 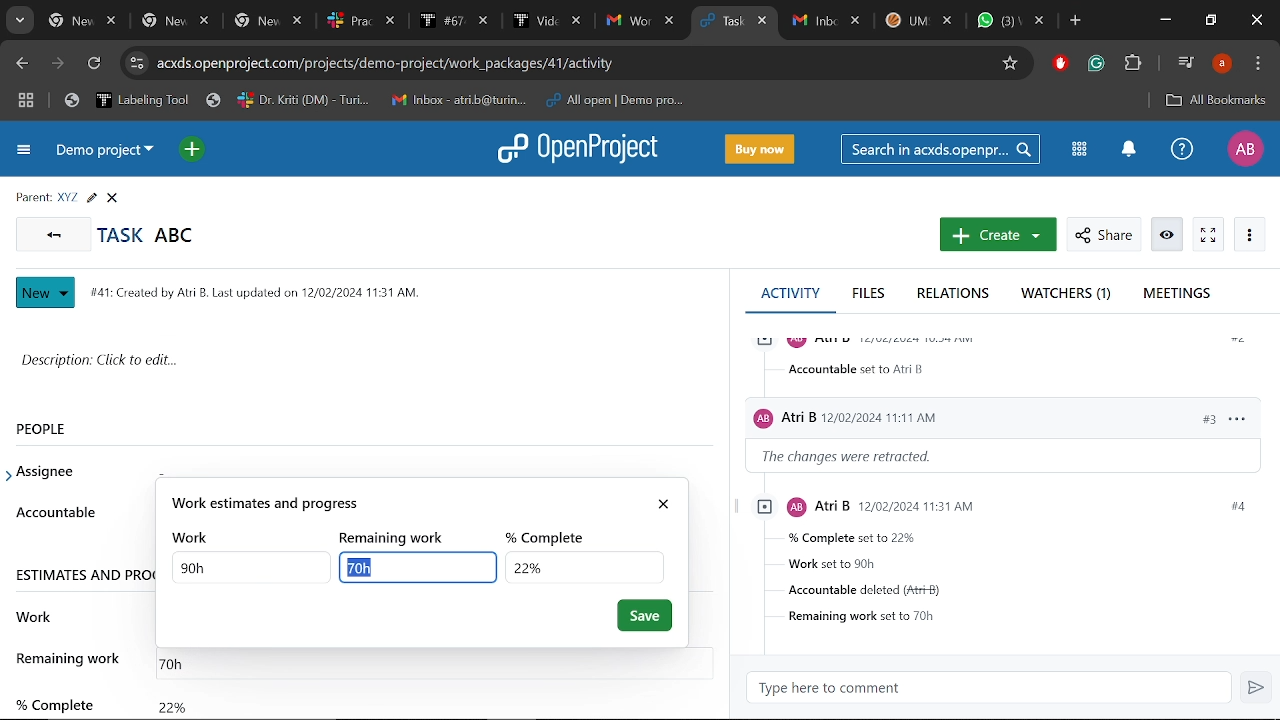 I want to click on remaining work, so click(x=71, y=658).